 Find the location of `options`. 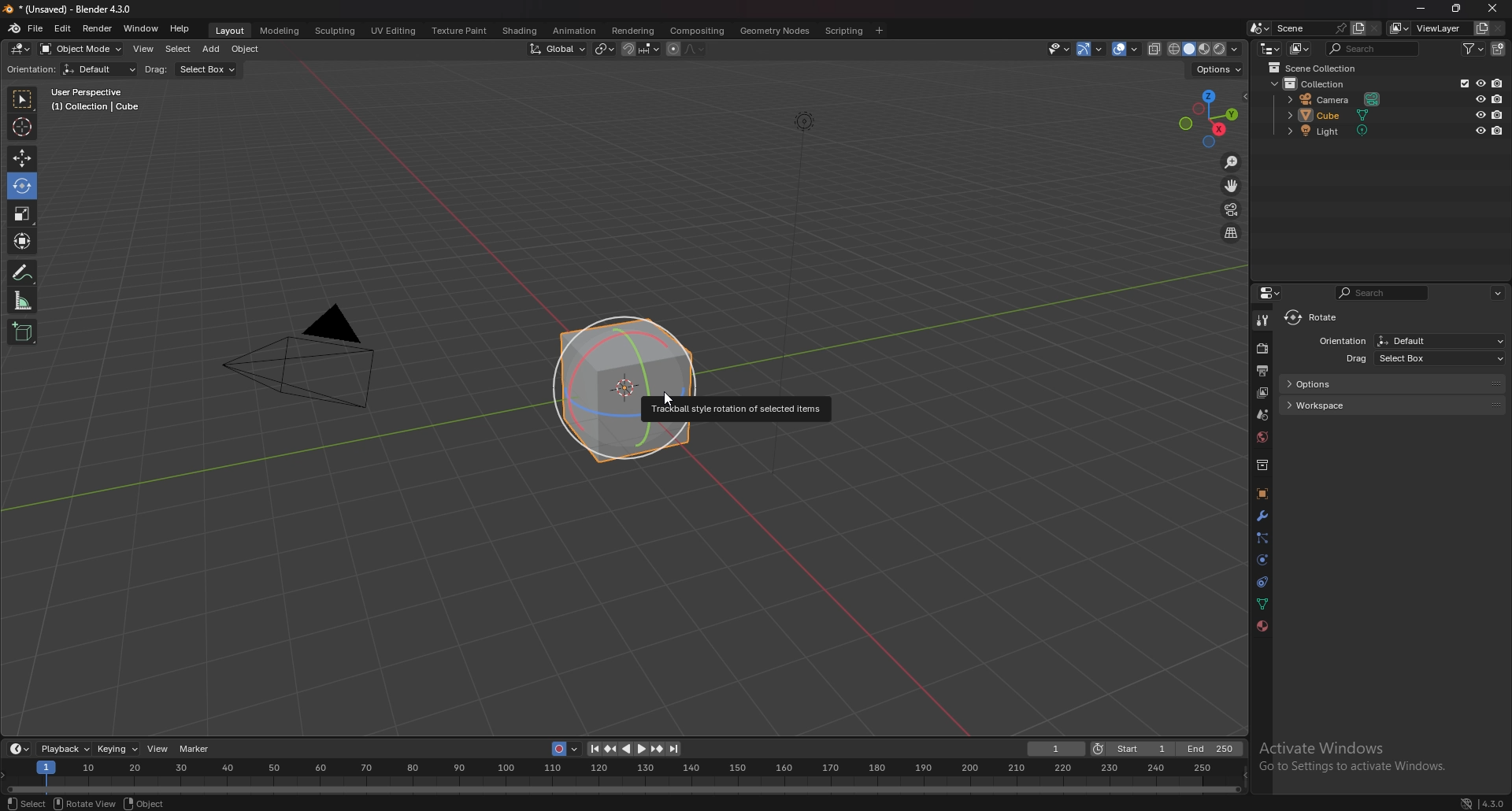

options is located at coordinates (1392, 383).